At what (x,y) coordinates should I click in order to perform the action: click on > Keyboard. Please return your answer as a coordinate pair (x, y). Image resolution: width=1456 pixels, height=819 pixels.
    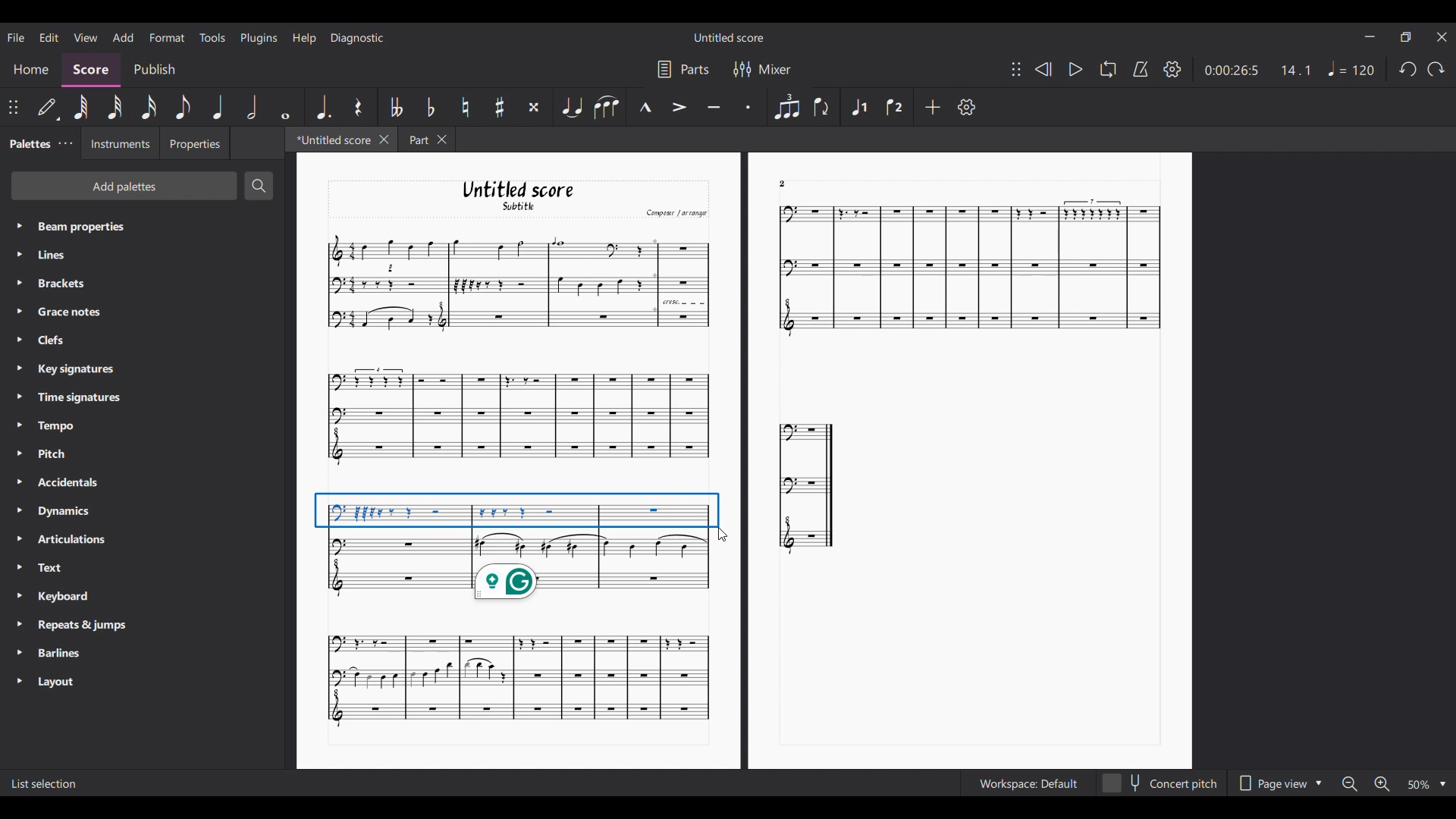
    Looking at the image, I should click on (58, 598).